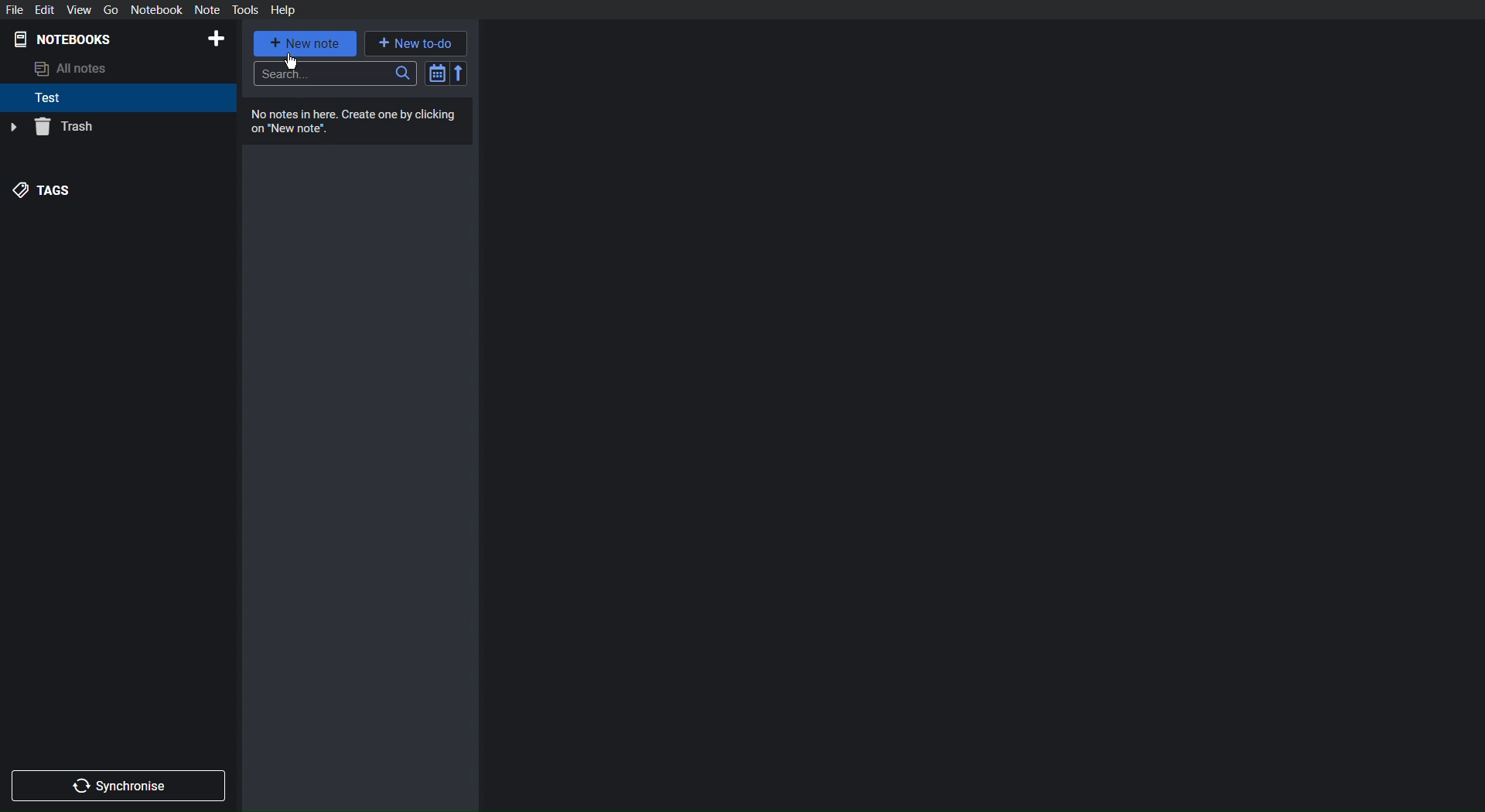  What do you see at coordinates (12, 10) in the screenshot?
I see `File` at bounding box center [12, 10].